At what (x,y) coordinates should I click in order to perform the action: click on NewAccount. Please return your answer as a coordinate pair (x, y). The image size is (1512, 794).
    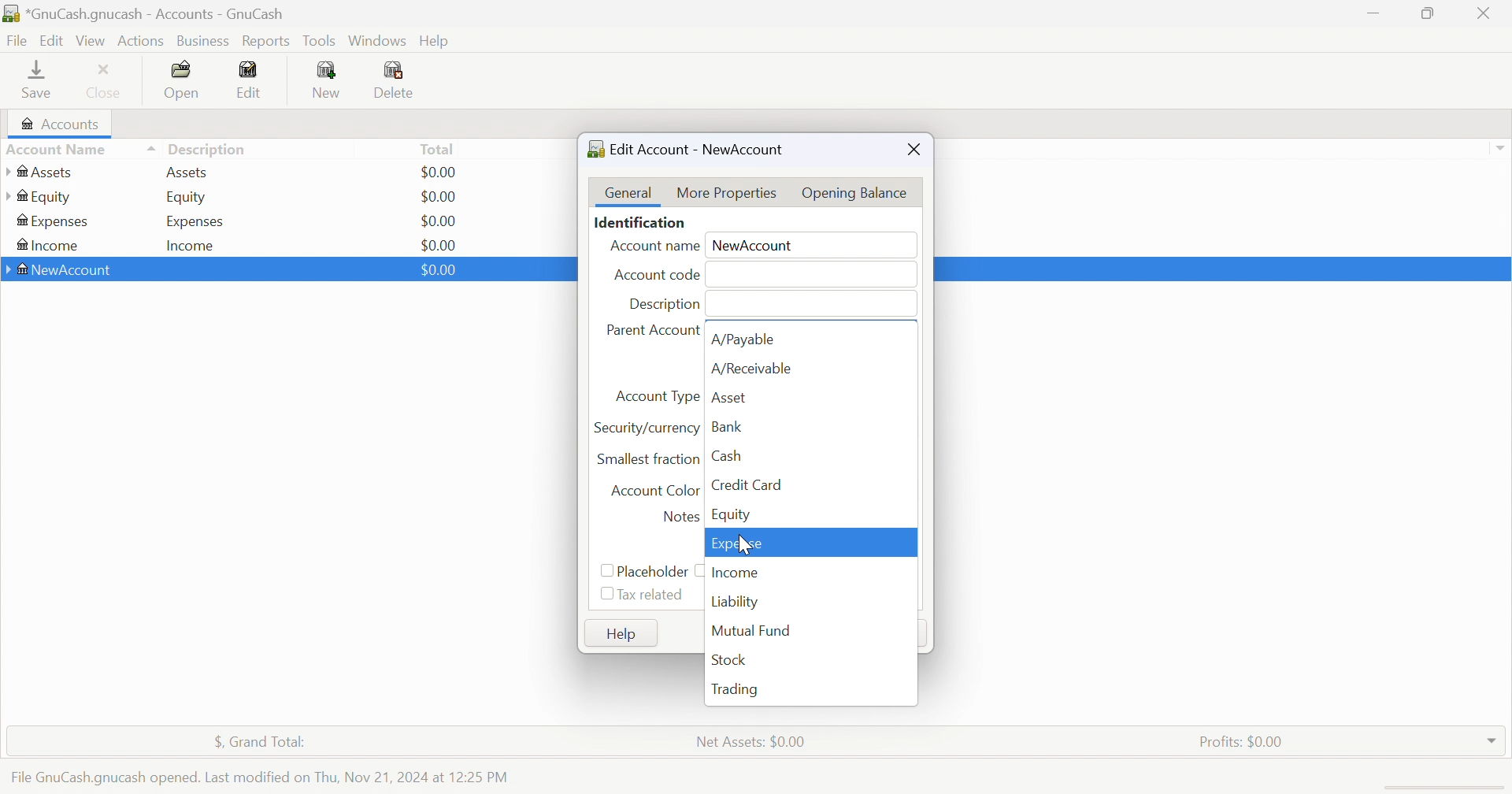
    Looking at the image, I should click on (62, 271).